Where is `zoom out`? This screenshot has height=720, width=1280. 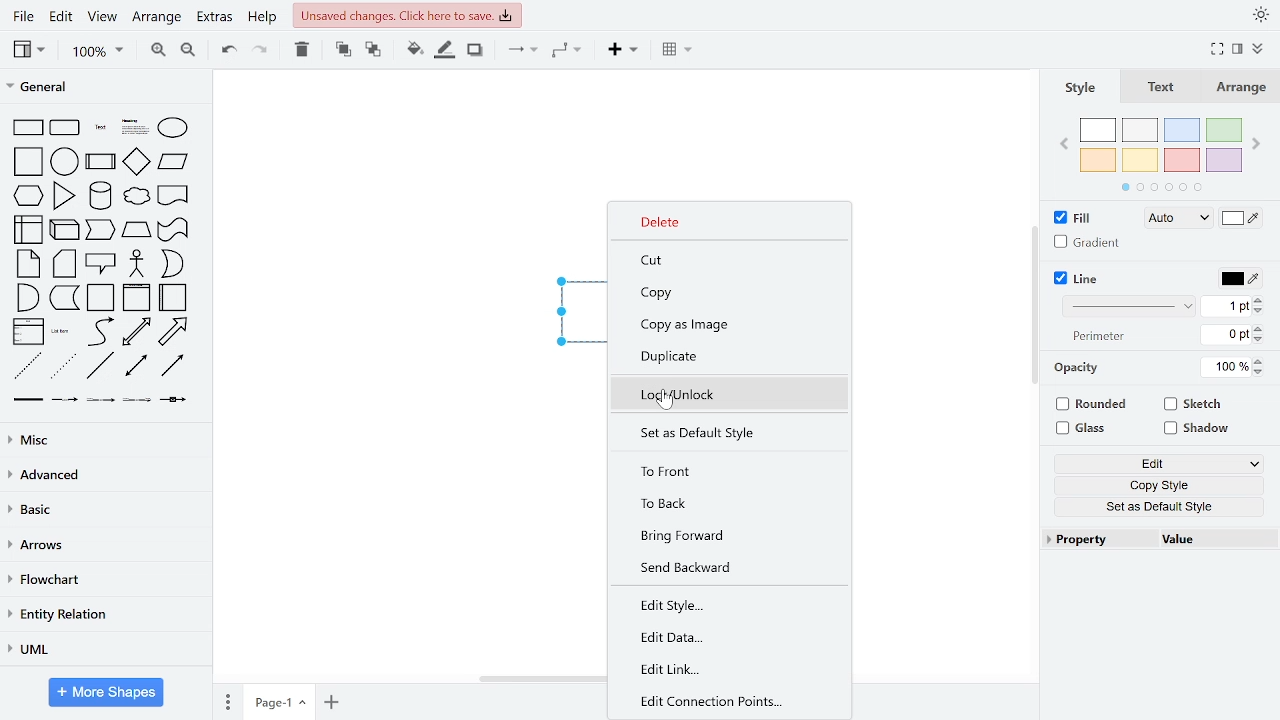 zoom out is located at coordinates (190, 50).